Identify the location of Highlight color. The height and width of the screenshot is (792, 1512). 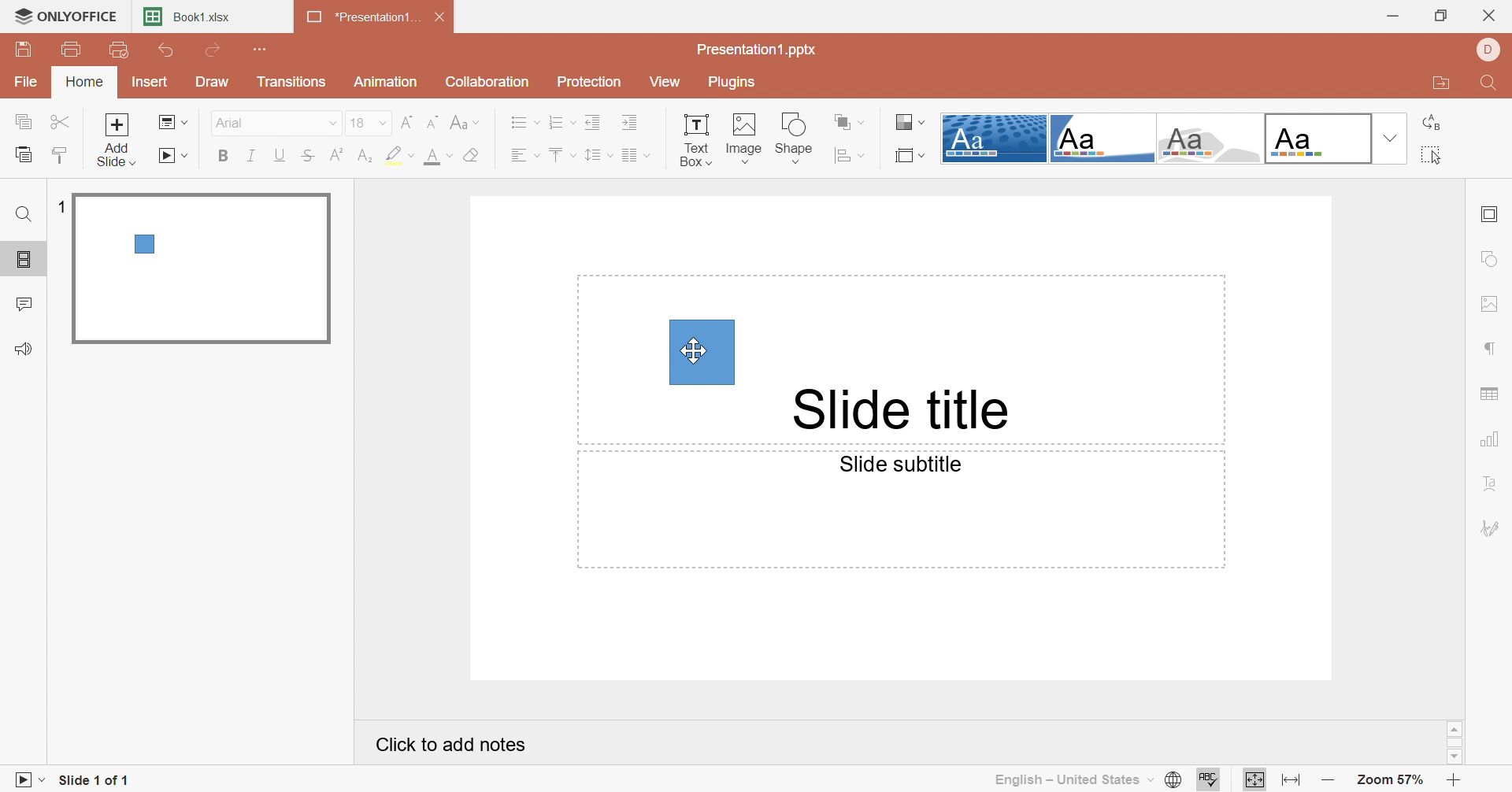
(401, 154).